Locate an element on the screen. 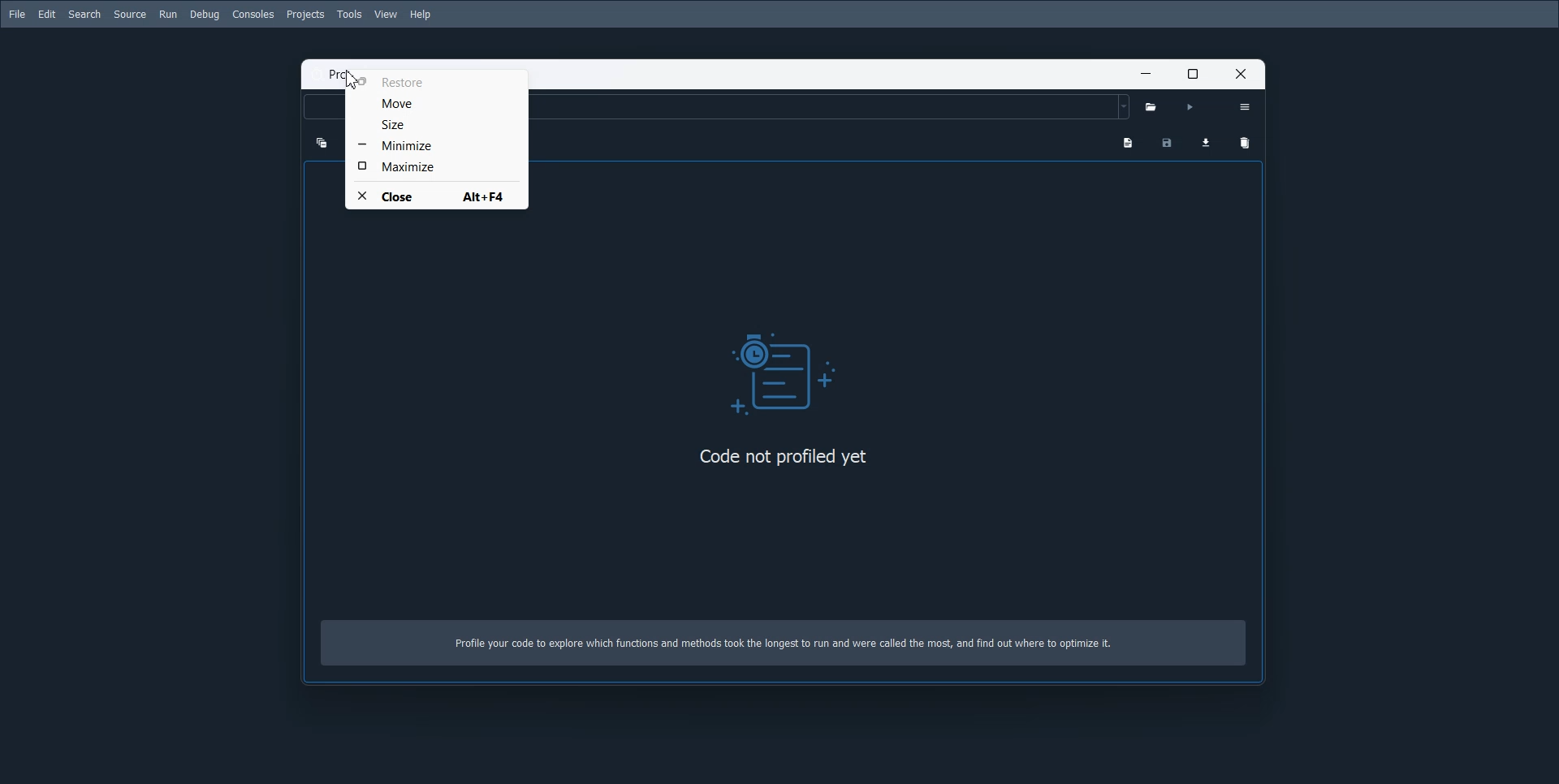 The width and height of the screenshot is (1559, 784). Logo  is located at coordinates (788, 370).